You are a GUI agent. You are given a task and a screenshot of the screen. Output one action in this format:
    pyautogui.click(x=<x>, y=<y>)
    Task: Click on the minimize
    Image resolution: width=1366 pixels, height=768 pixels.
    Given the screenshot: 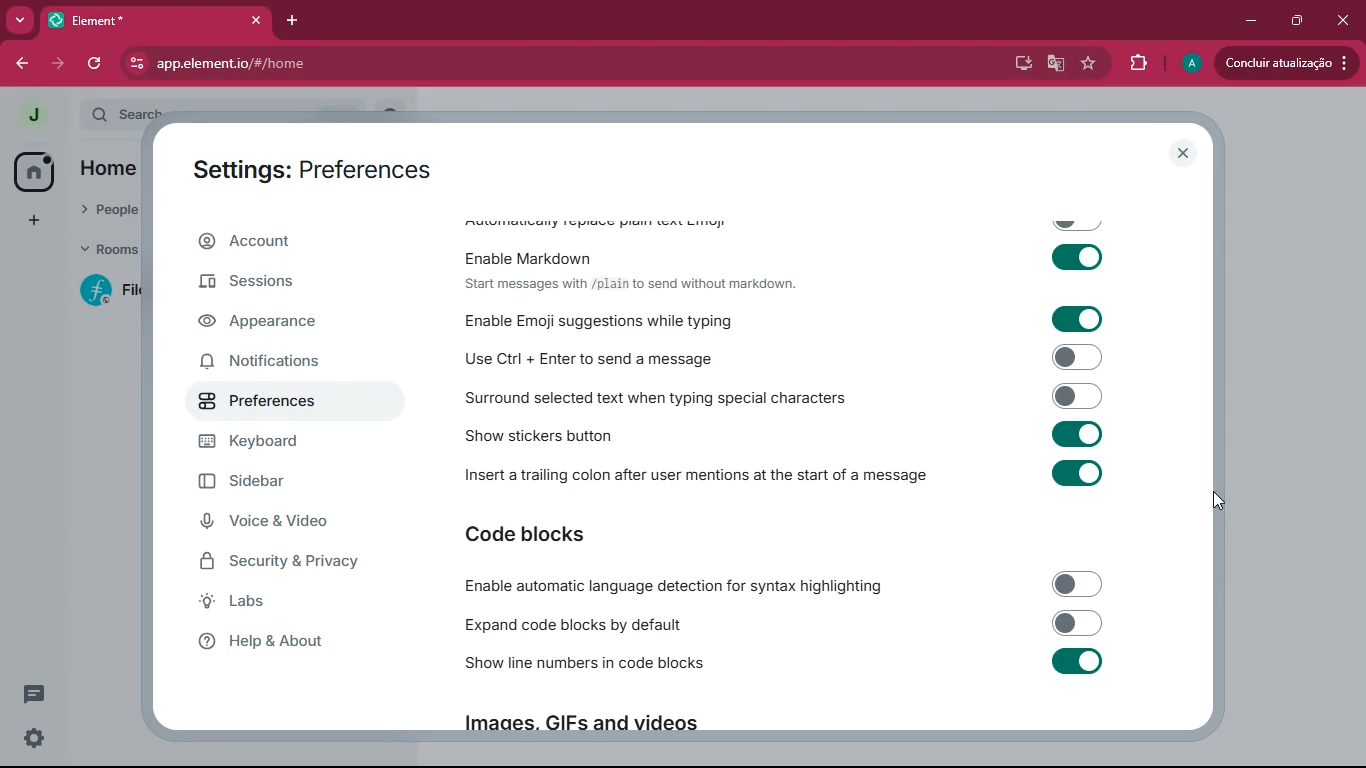 What is the action you would take?
    pyautogui.click(x=1248, y=20)
    